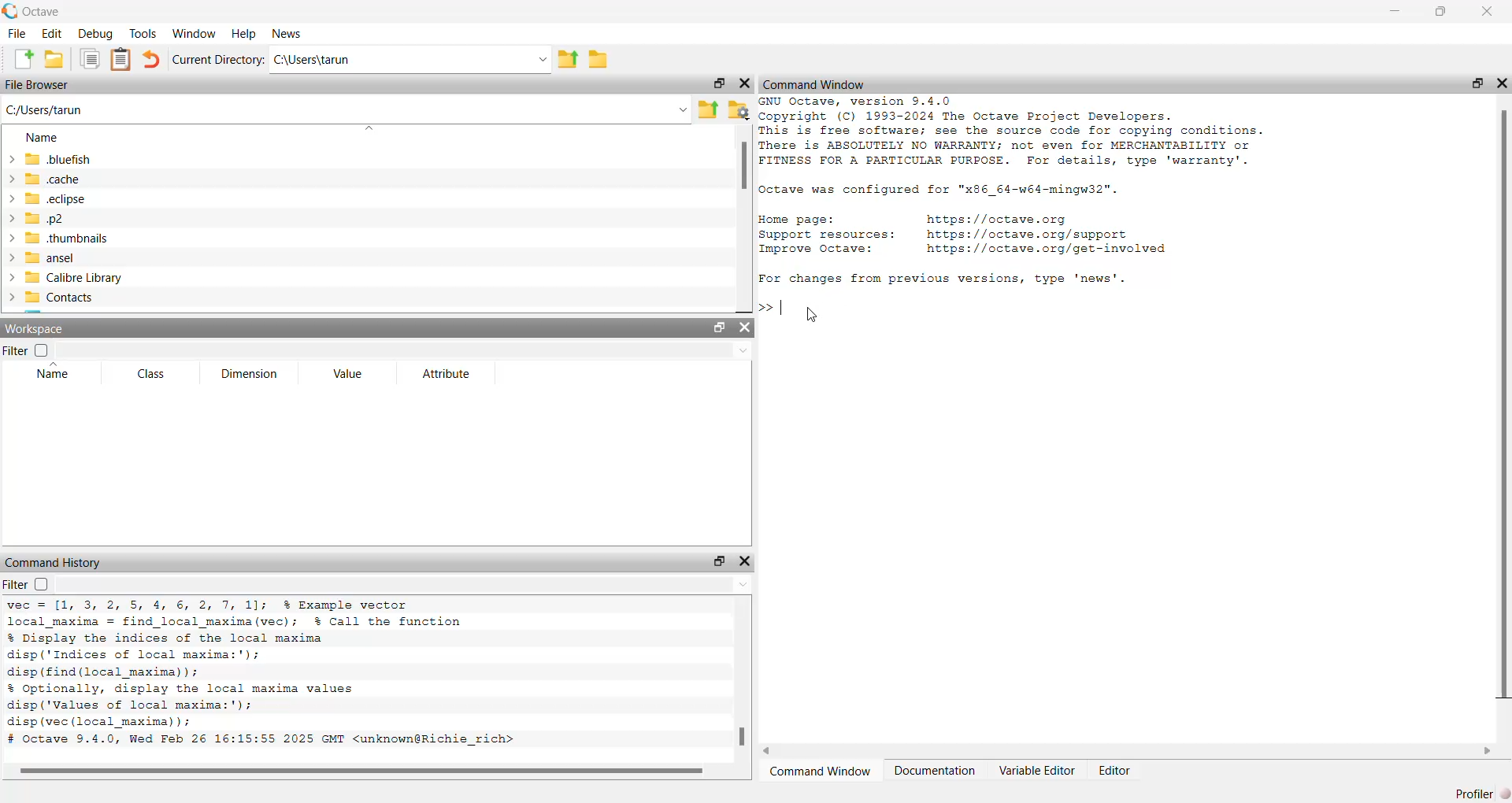 The height and width of the screenshot is (803, 1512). Describe the element at coordinates (598, 57) in the screenshot. I see `Browse Directions` at that location.